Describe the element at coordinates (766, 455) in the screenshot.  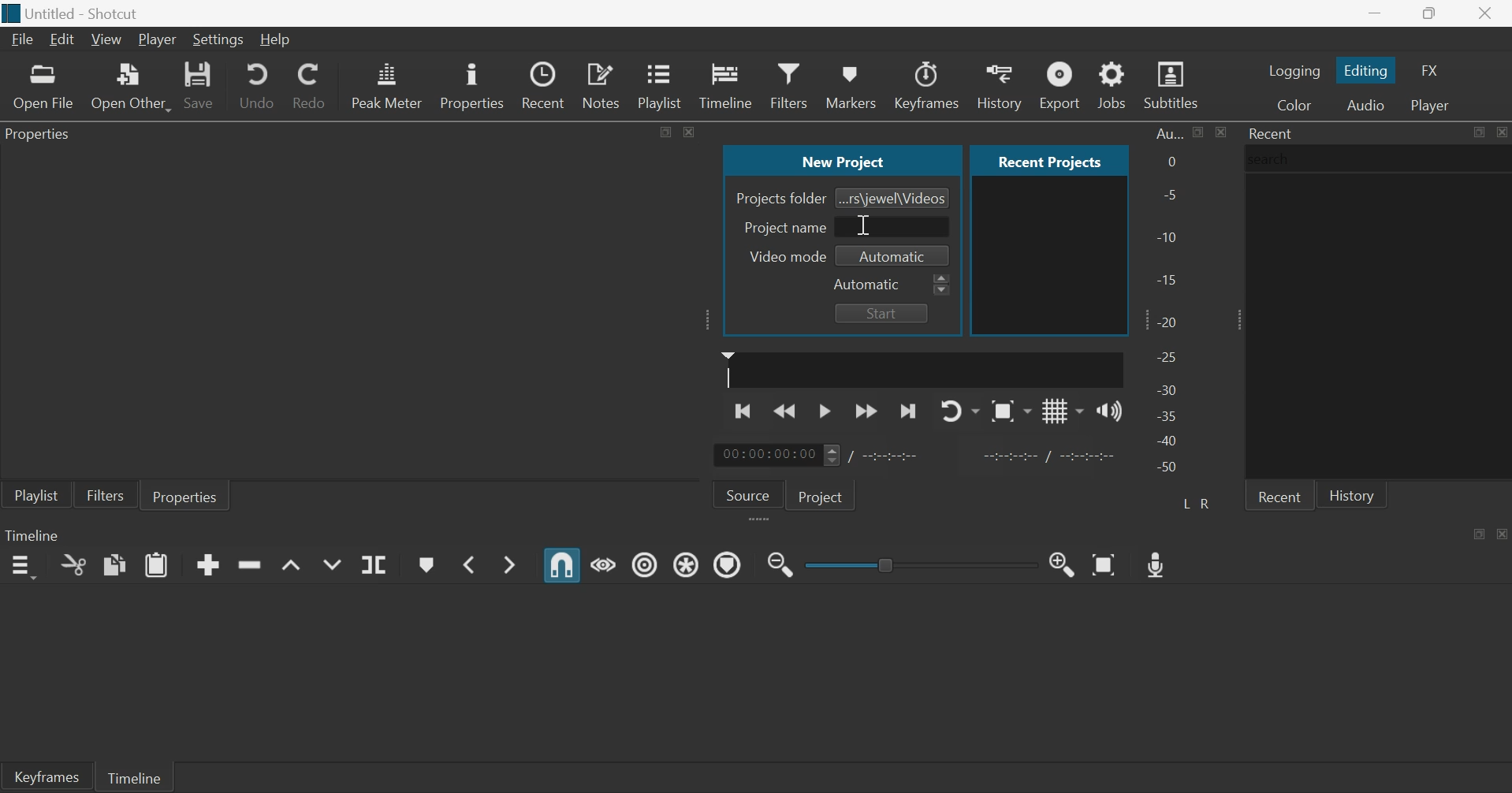
I see `Timeline time` at that location.